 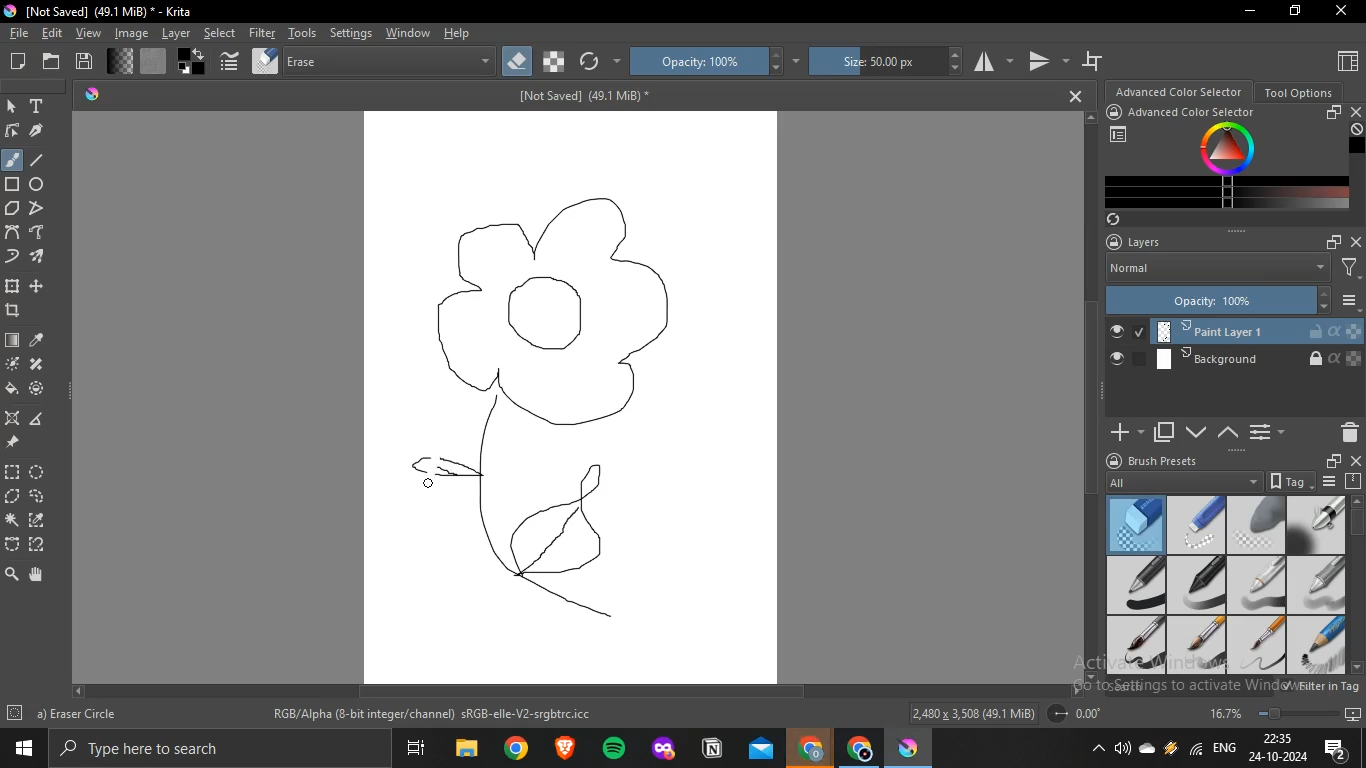 What do you see at coordinates (460, 35) in the screenshot?
I see `help` at bounding box center [460, 35].